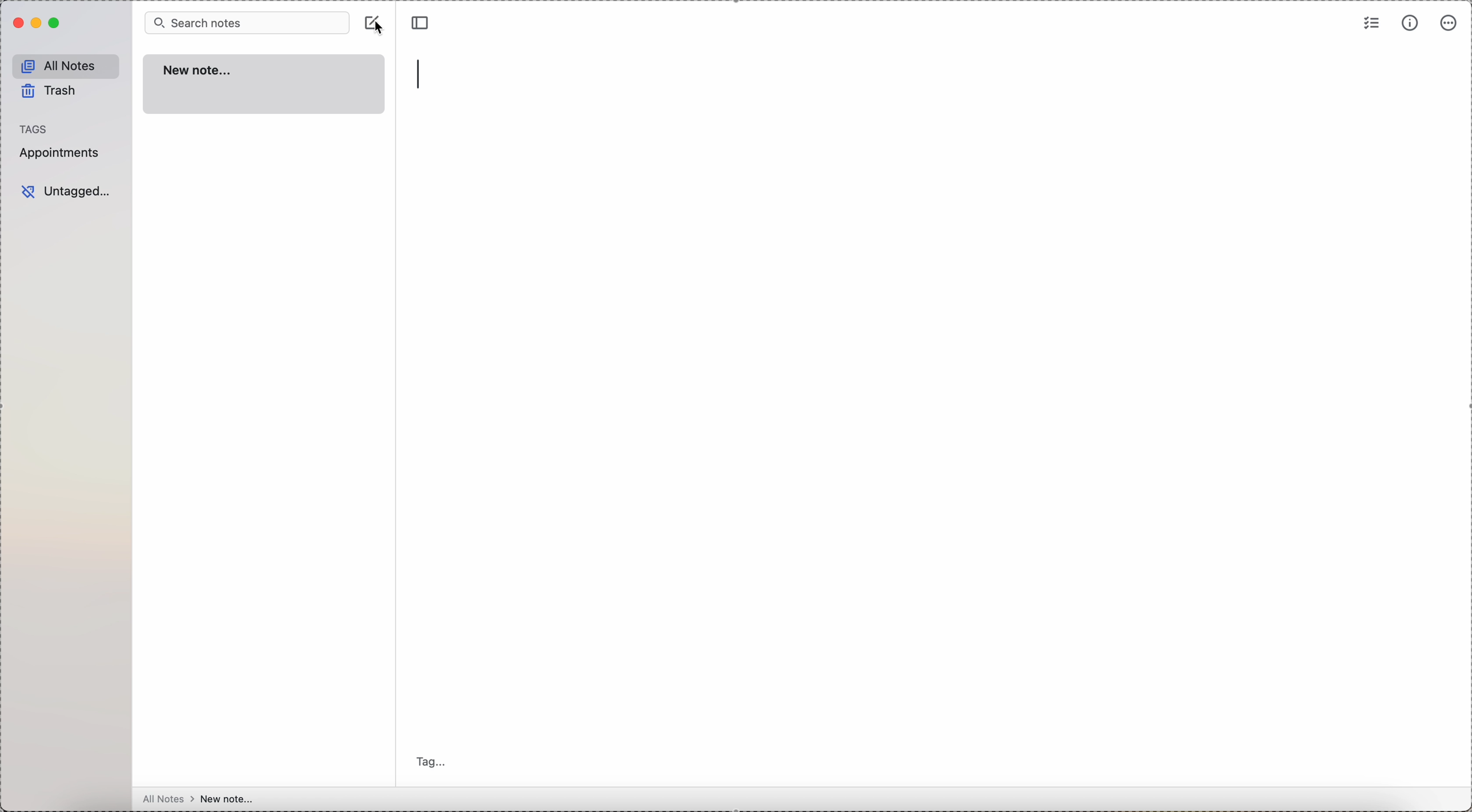 This screenshot has width=1472, height=812. Describe the element at coordinates (1410, 24) in the screenshot. I see `metrics` at that location.